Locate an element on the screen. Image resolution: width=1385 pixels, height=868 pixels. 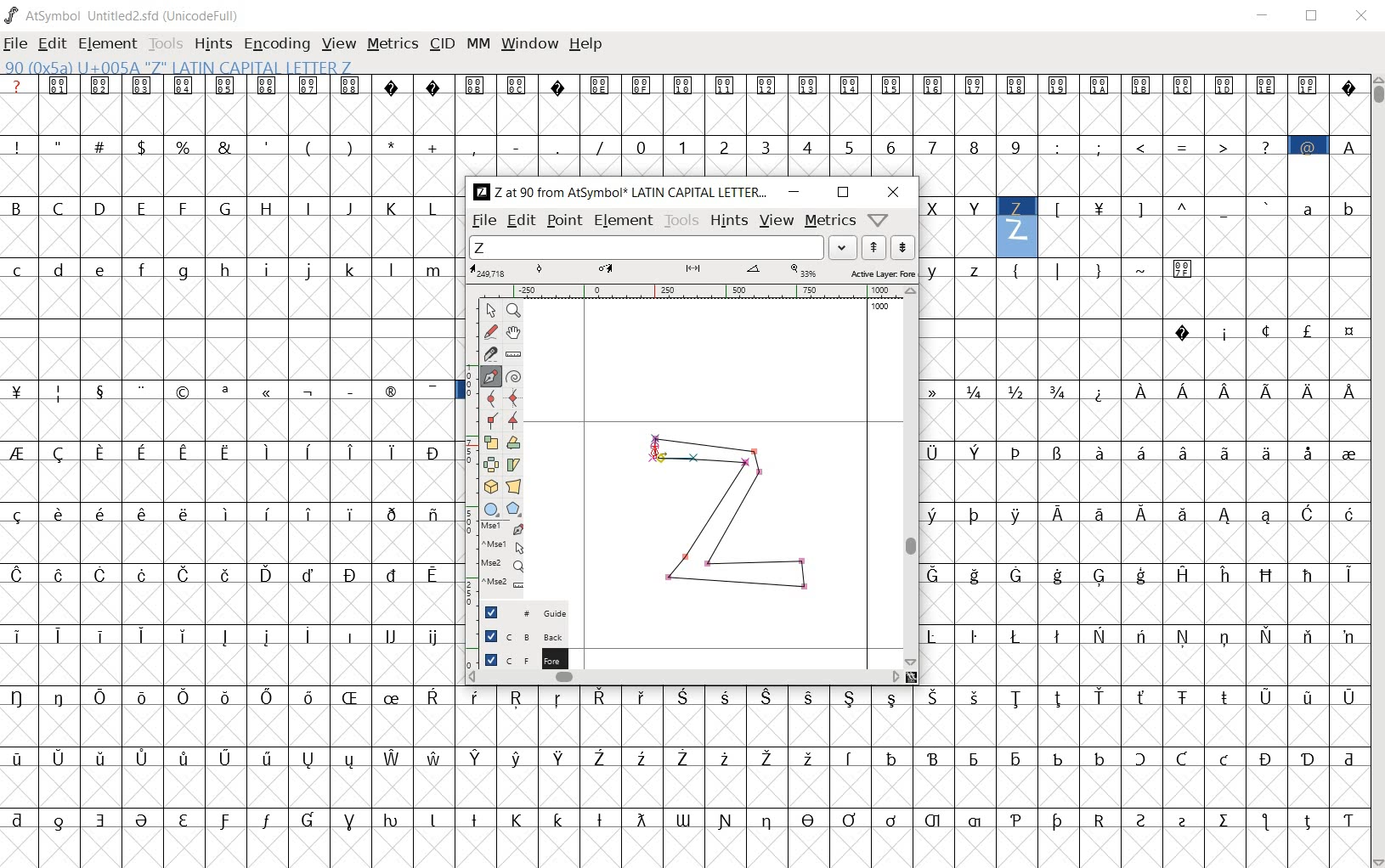
POINTER is located at coordinates (490, 311).